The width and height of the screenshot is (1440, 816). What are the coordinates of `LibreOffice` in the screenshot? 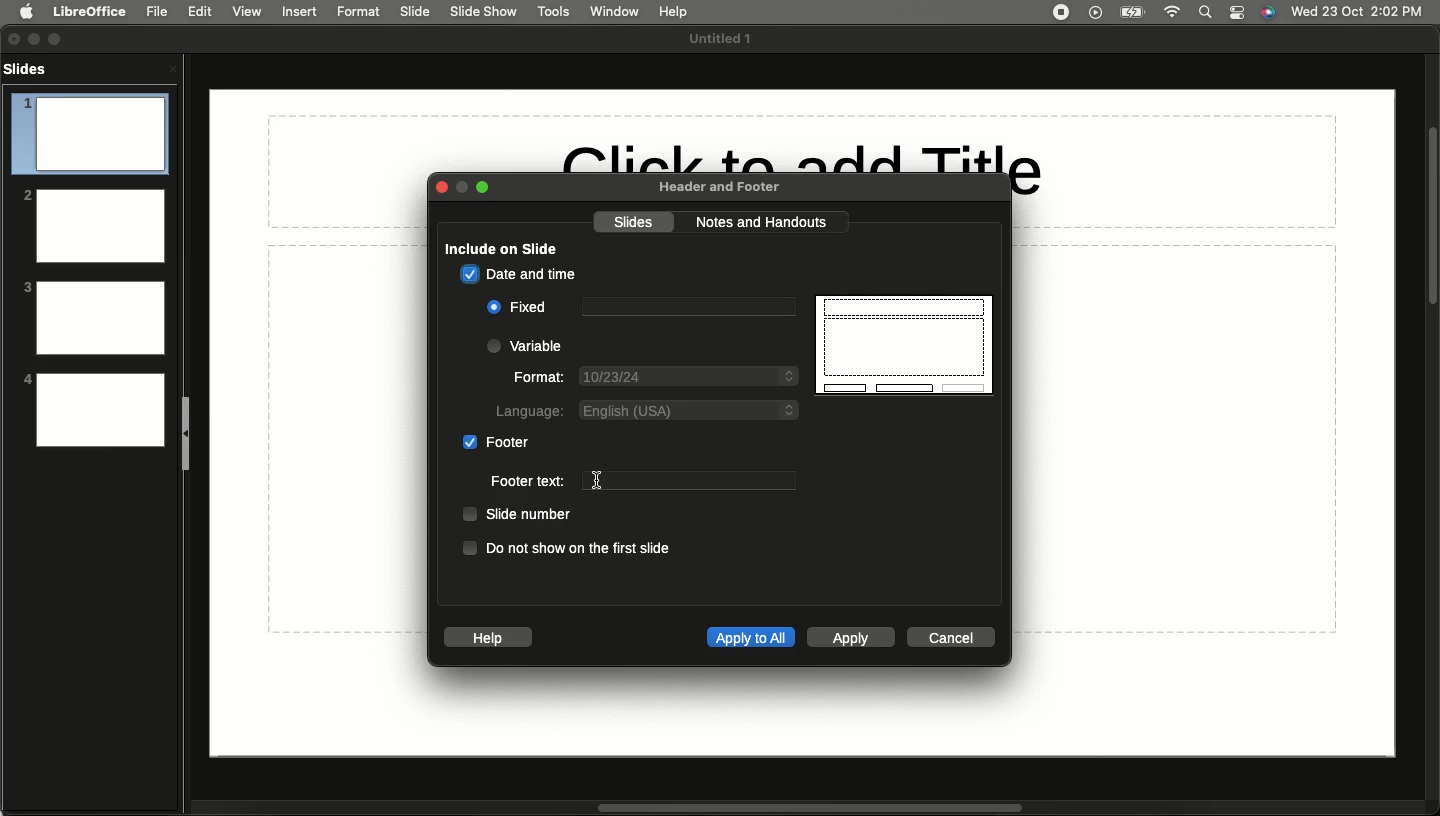 It's located at (88, 11).